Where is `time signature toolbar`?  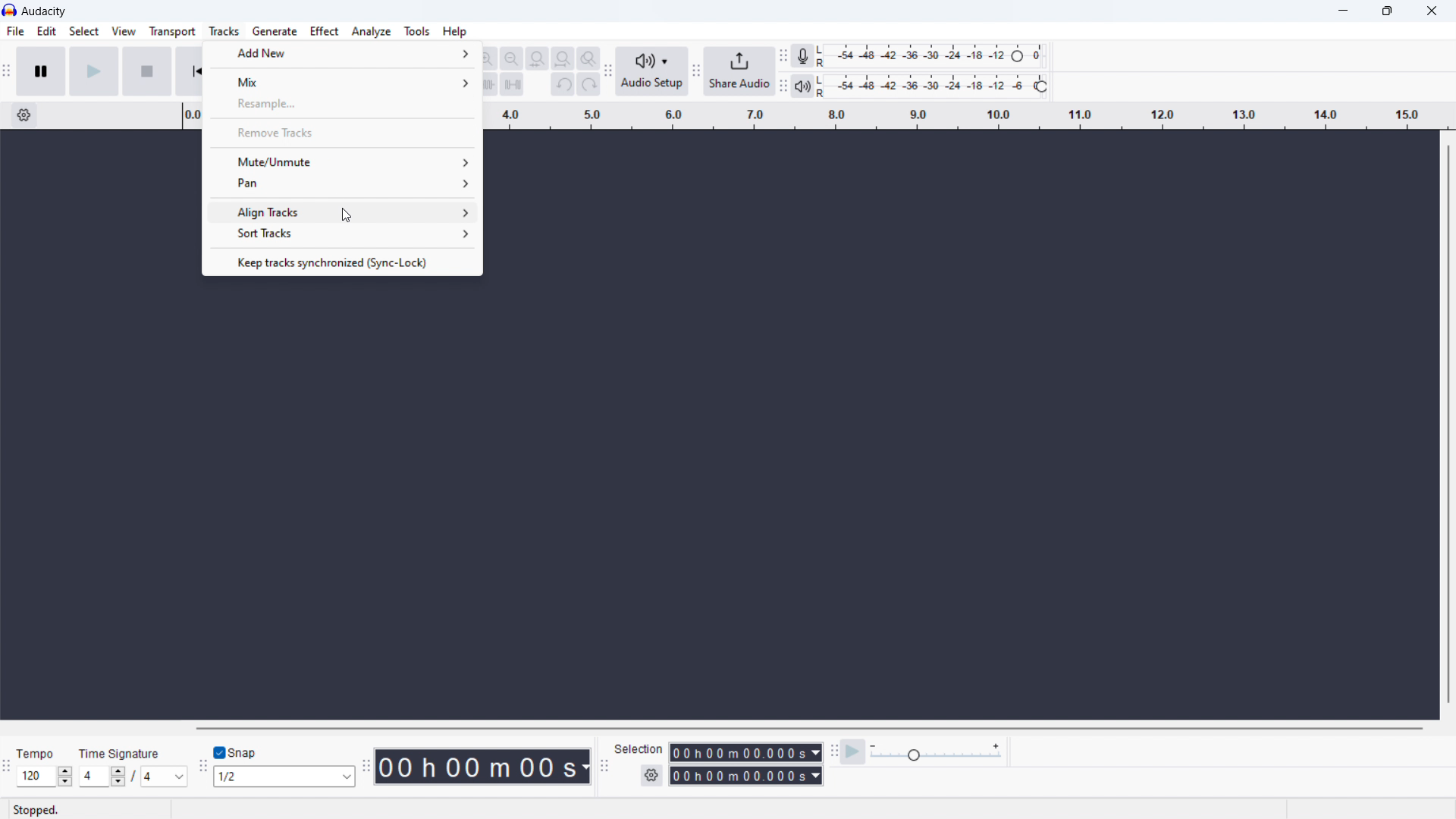
time signature toolbar is located at coordinates (6, 766).